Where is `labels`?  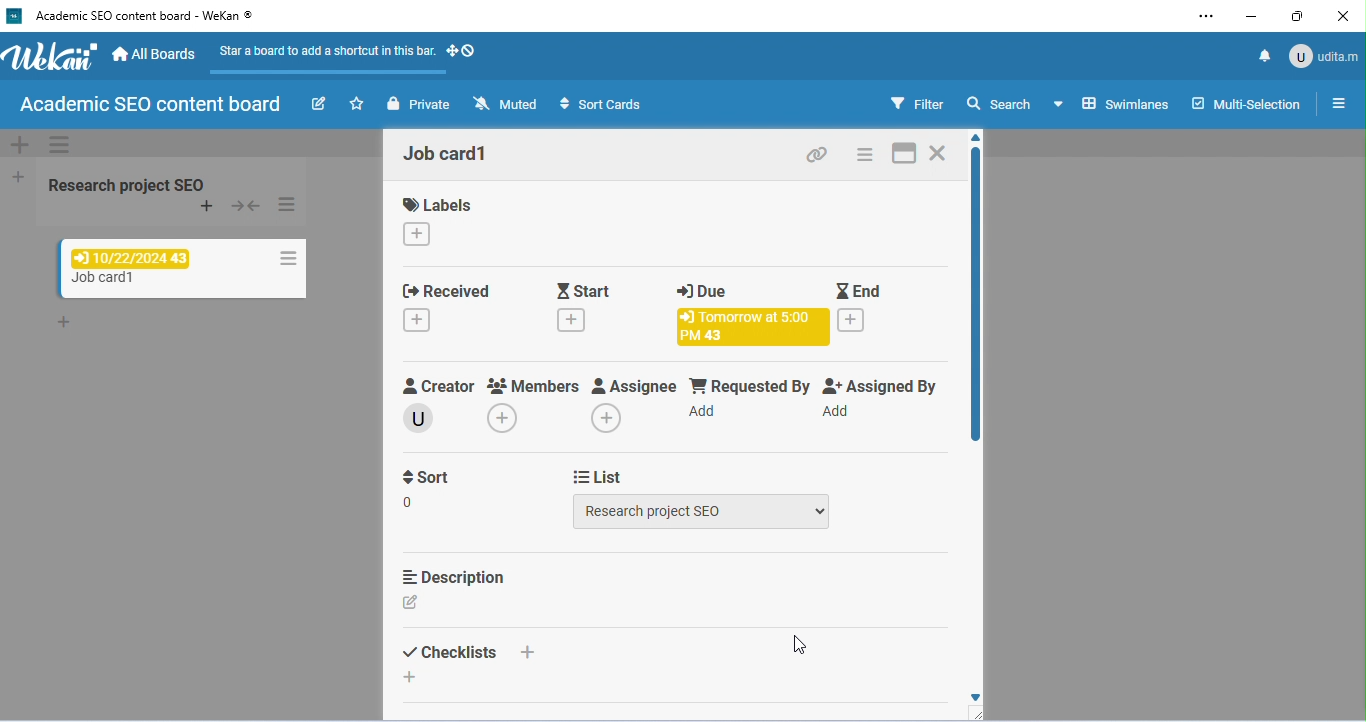 labels is located at coordinates (441, 204).